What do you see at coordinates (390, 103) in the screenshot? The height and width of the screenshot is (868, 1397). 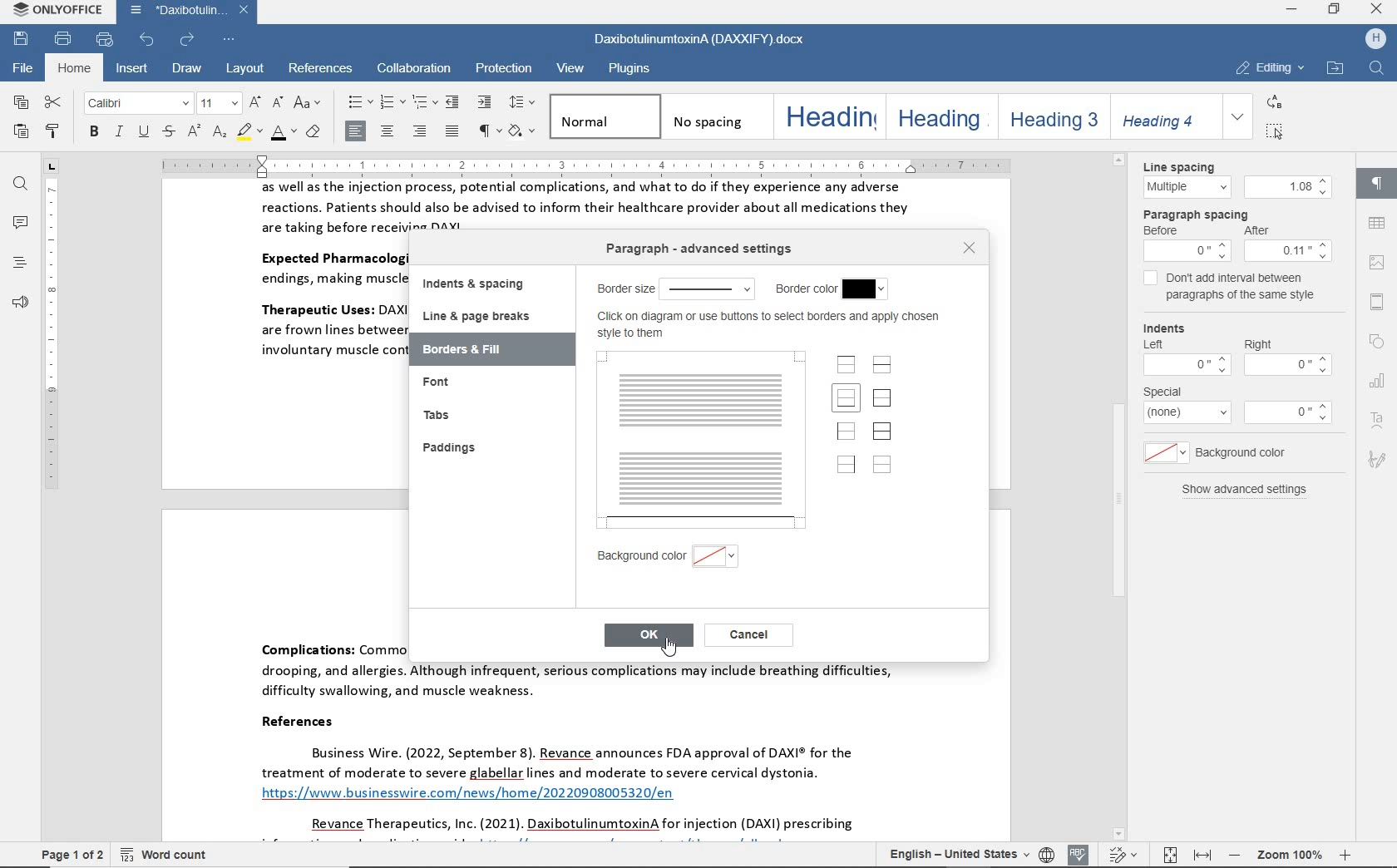 I see `numbering` at bounding box center [390, 103].